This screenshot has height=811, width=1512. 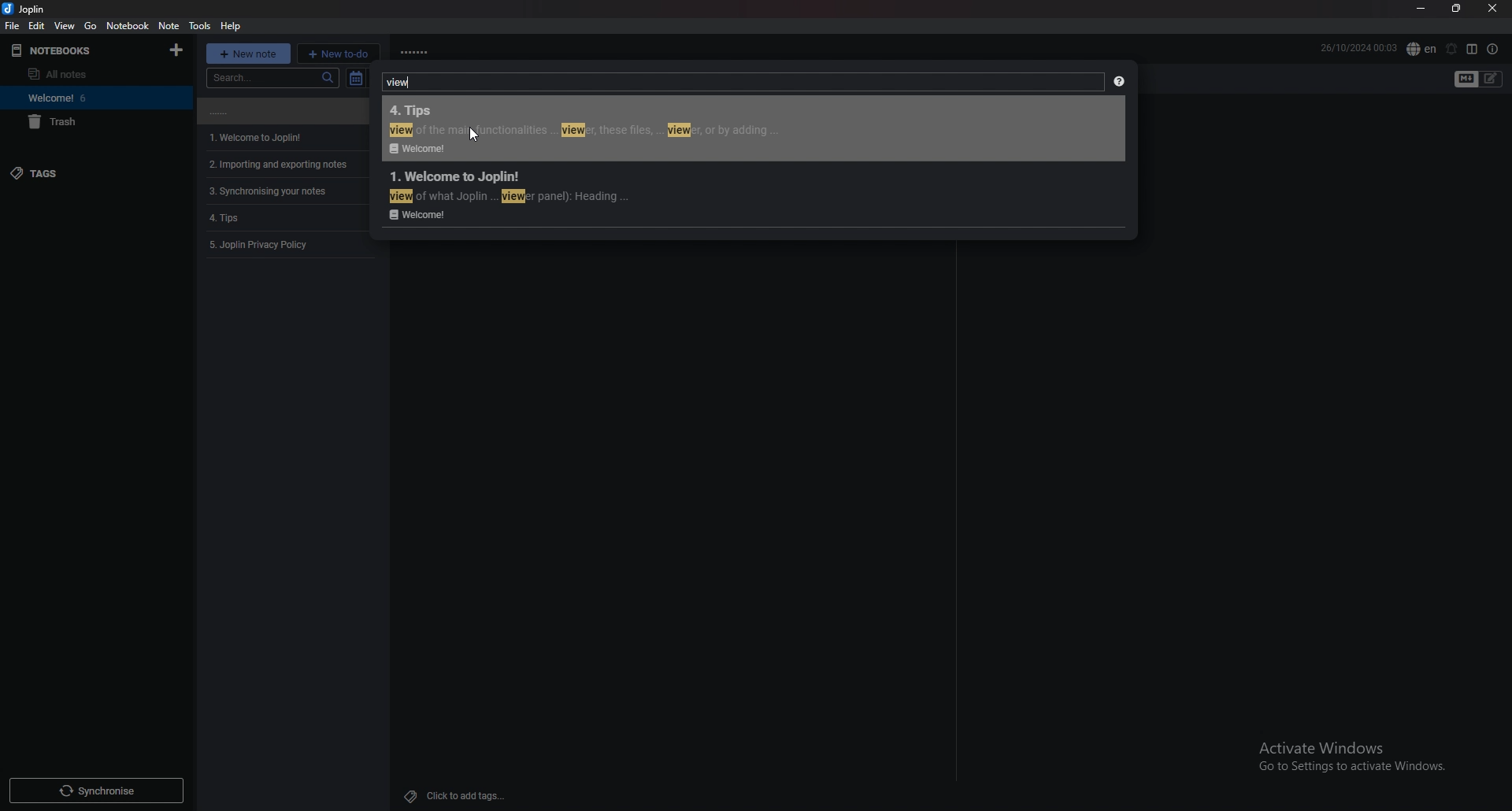 I want to click on close, so click(x=1494, y=8).